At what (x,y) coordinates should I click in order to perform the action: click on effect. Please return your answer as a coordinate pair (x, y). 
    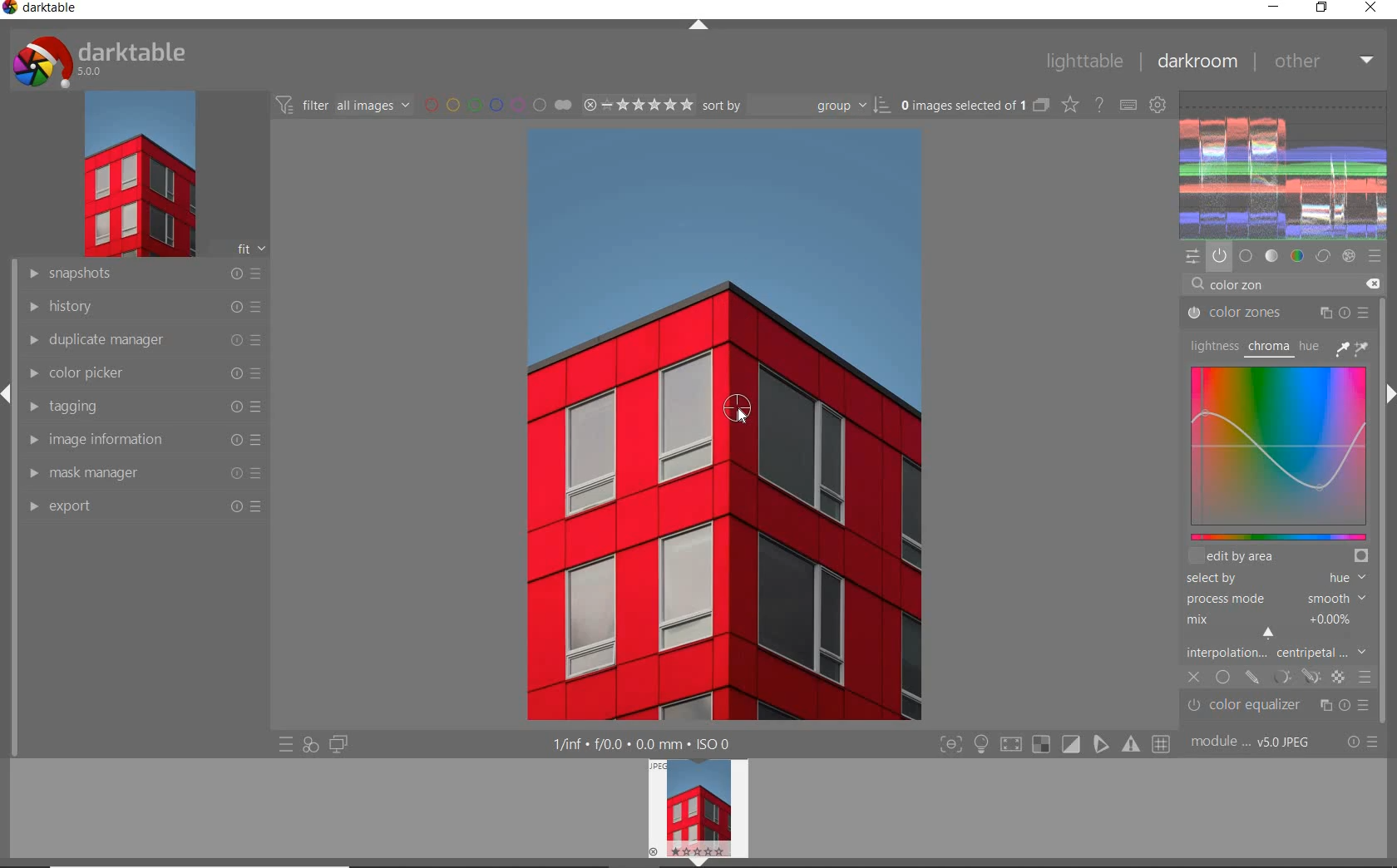
    Looking at the image, I should click on (1350, 256).